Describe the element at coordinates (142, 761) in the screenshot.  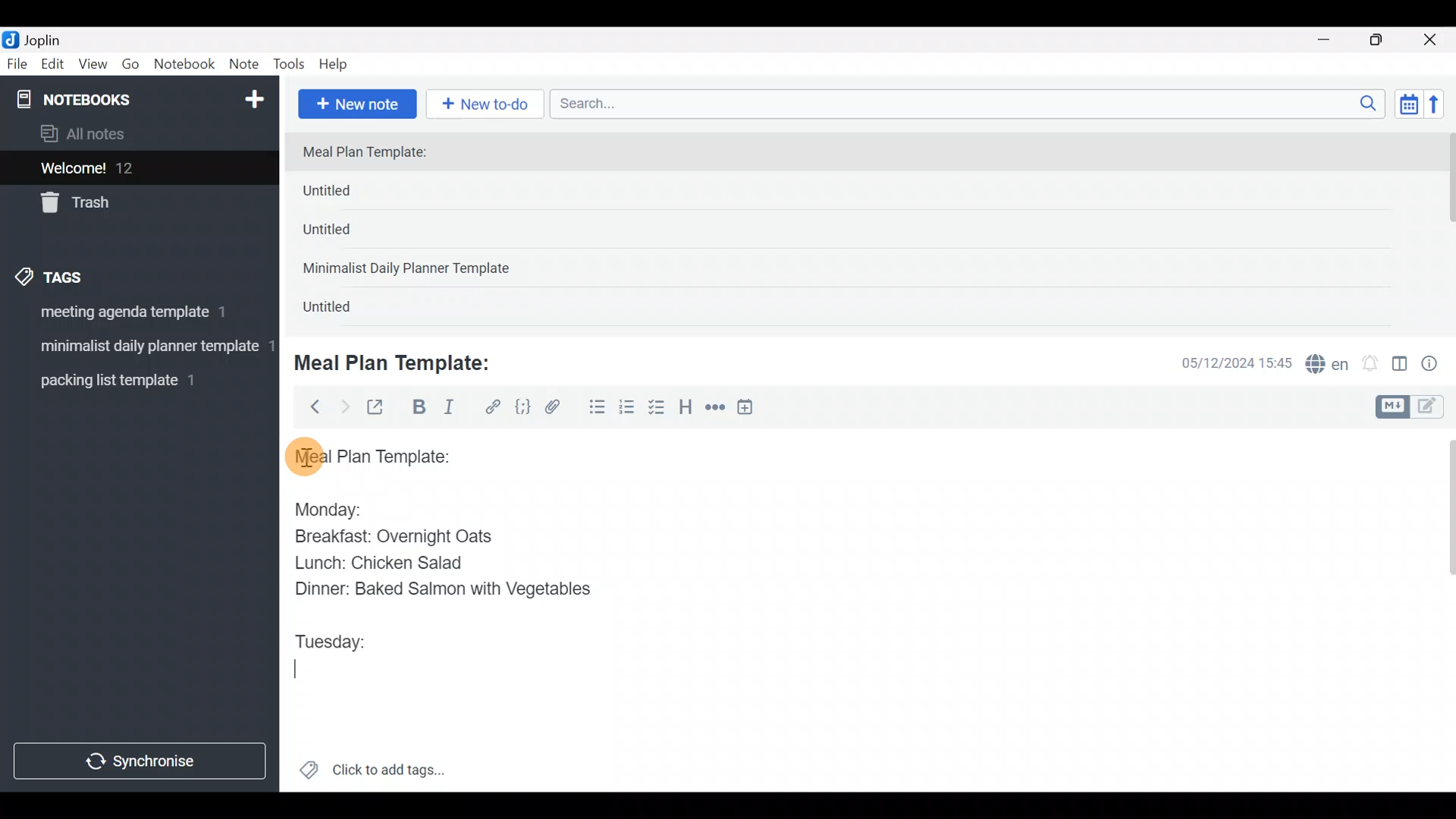
I see `Synchronize` at that location.